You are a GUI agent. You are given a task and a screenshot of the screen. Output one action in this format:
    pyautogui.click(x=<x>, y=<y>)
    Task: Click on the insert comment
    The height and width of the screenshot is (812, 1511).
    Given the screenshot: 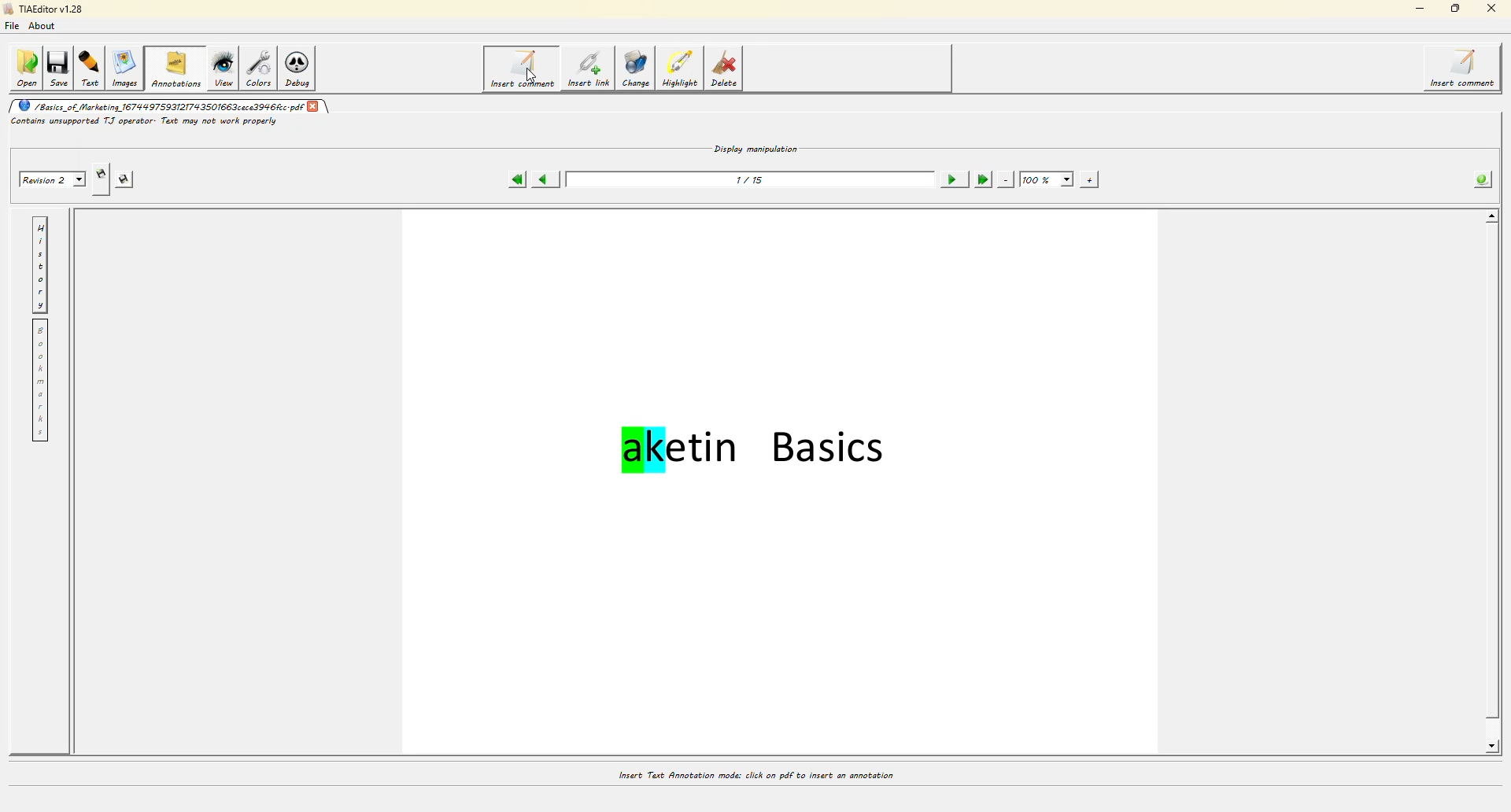 What is the action you would take?
    pyautogui.click(x=1466, y=68)
    